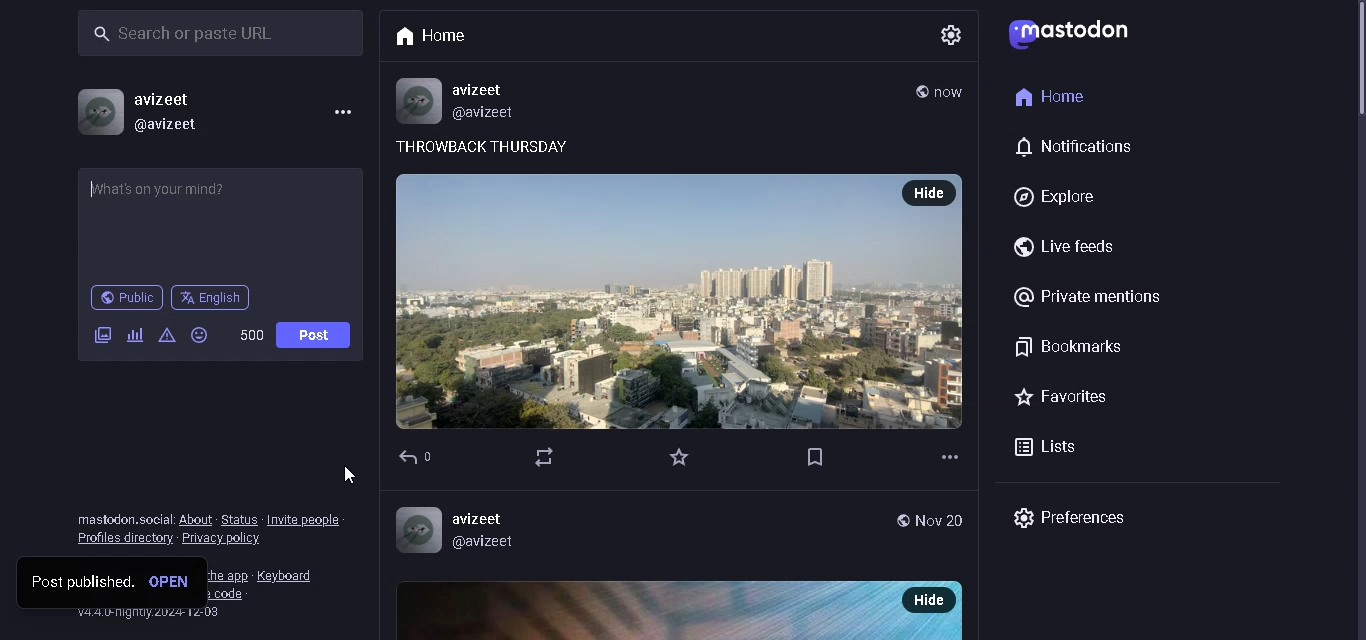  Describe the element at coordinates (893, 520) in the screenshot. I see `Globe` at that location.